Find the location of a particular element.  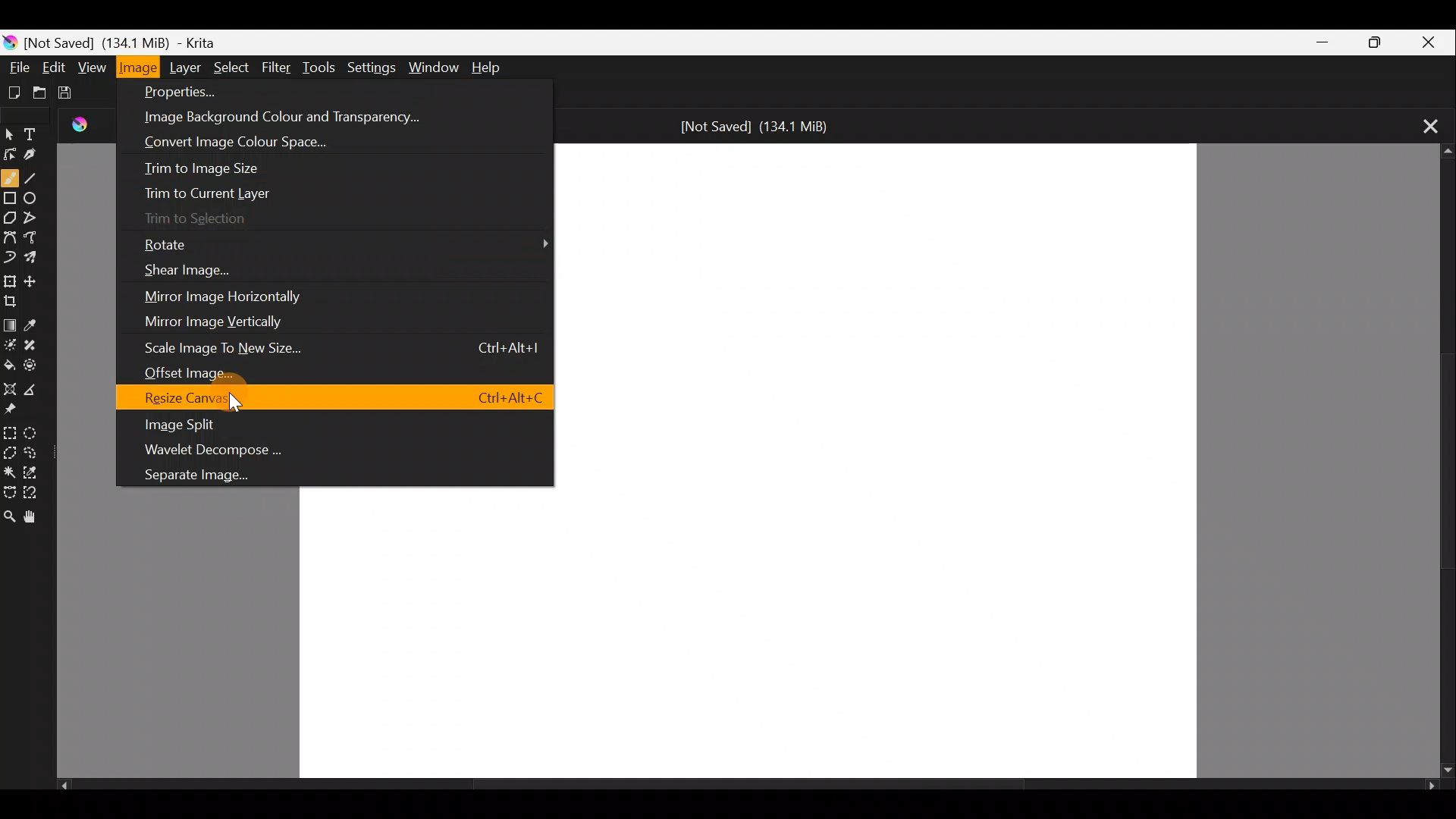

Sample a colour from the image/current layer is located at coordinates (37, 321).